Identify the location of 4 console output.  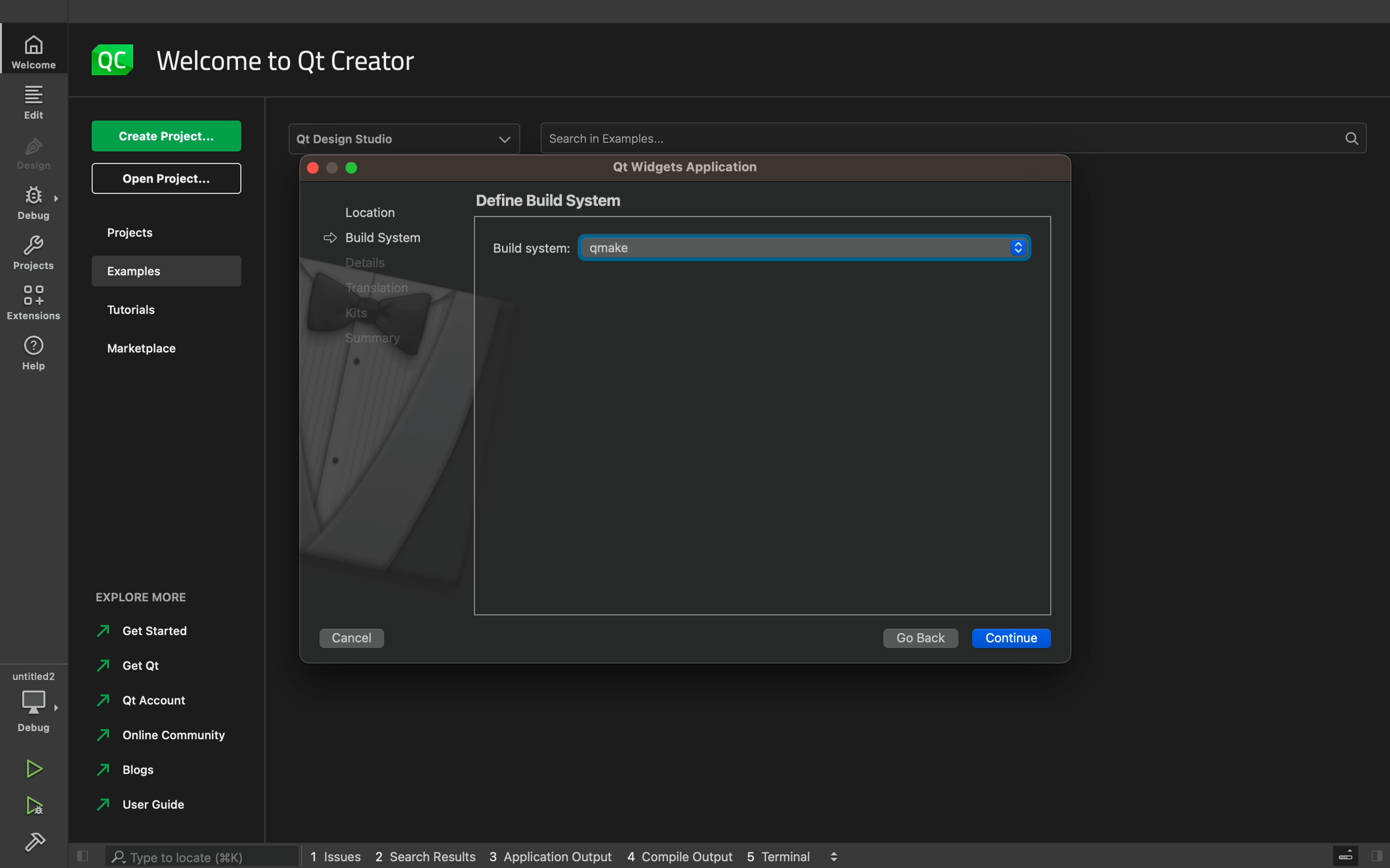
(682, 857).